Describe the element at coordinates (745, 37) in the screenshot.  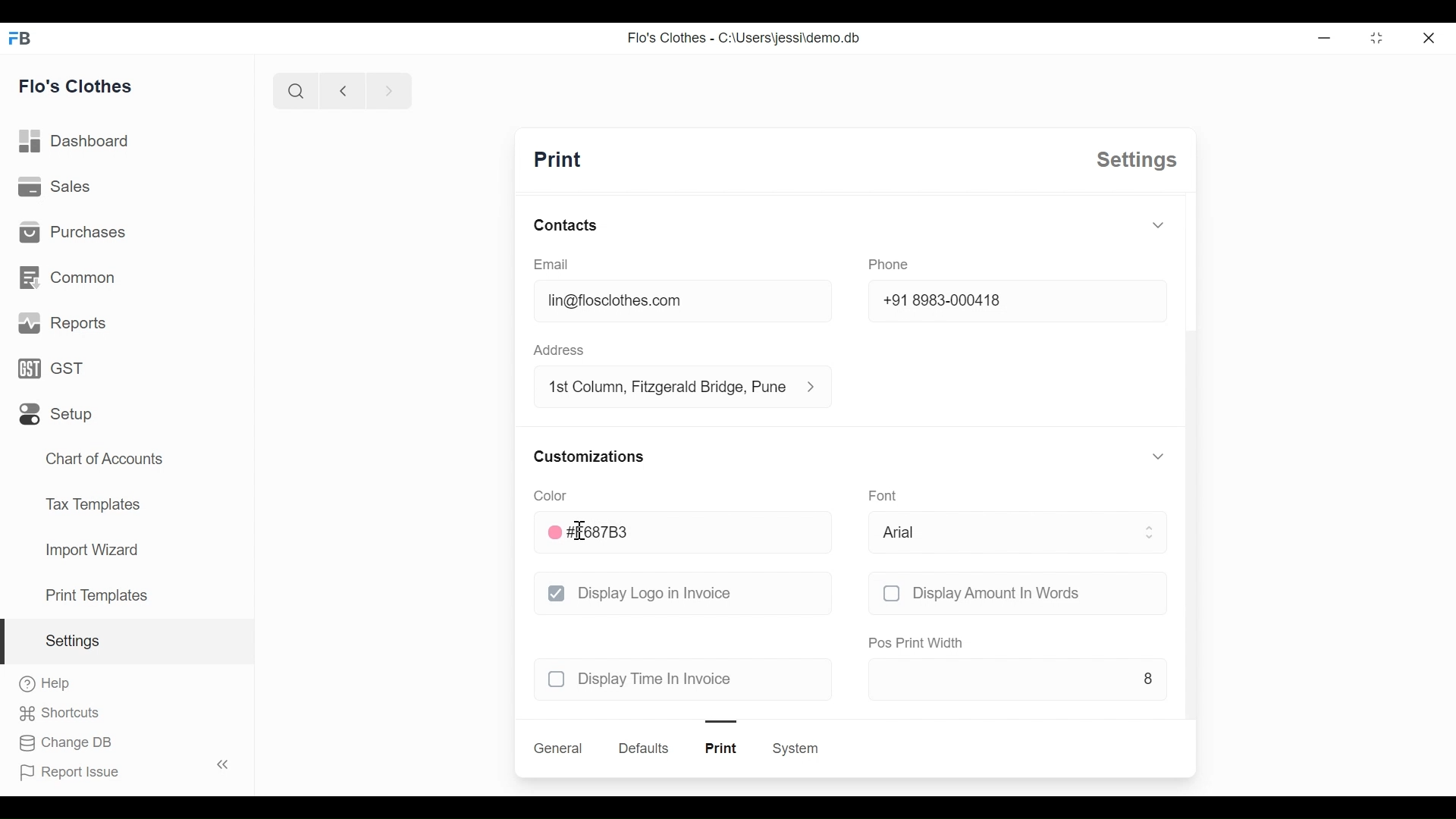
I see `Flo's Clothes - C:\Users\jessi\demo.db` at that location.